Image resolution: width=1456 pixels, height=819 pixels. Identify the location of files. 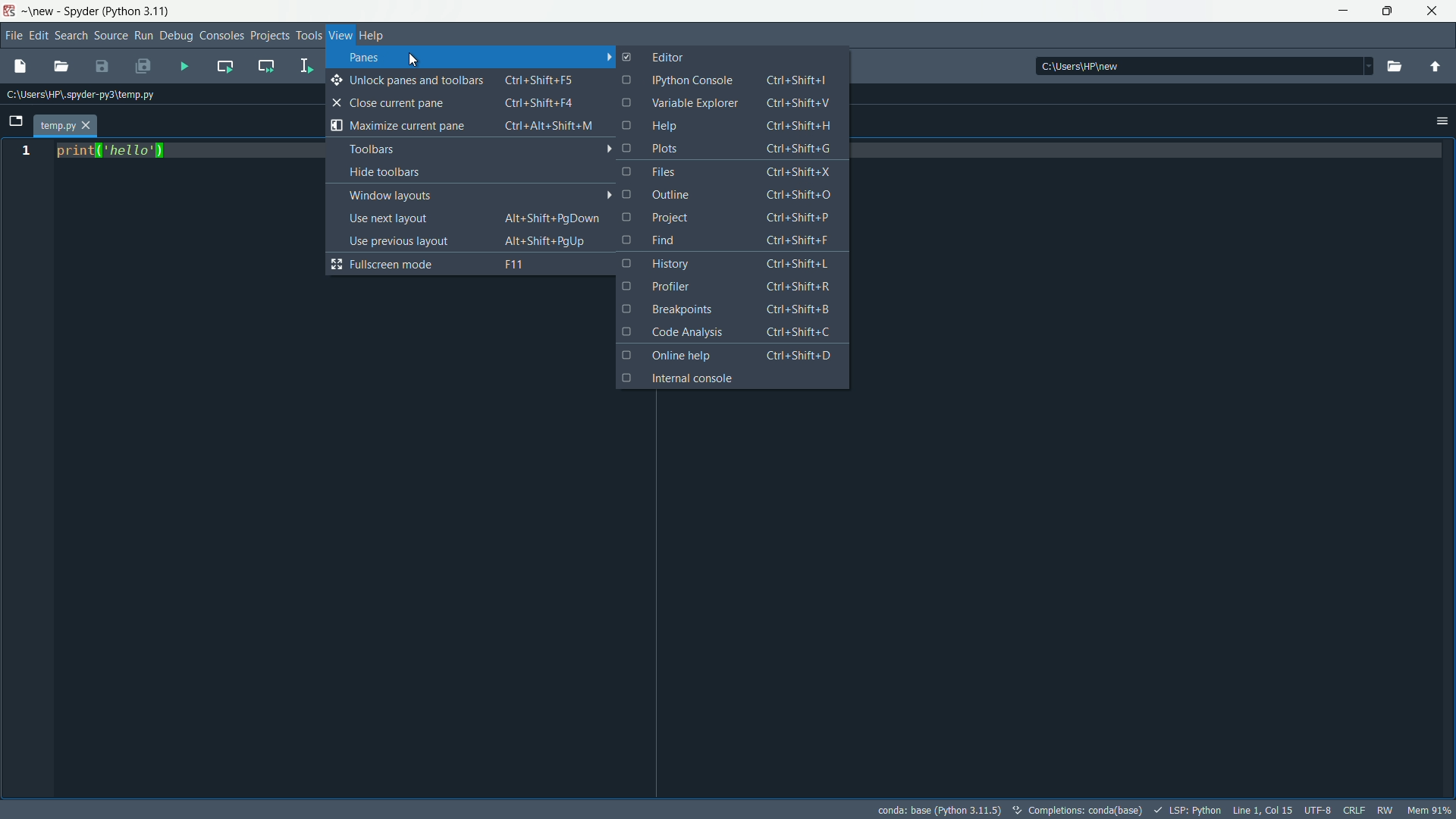
(733, 173).